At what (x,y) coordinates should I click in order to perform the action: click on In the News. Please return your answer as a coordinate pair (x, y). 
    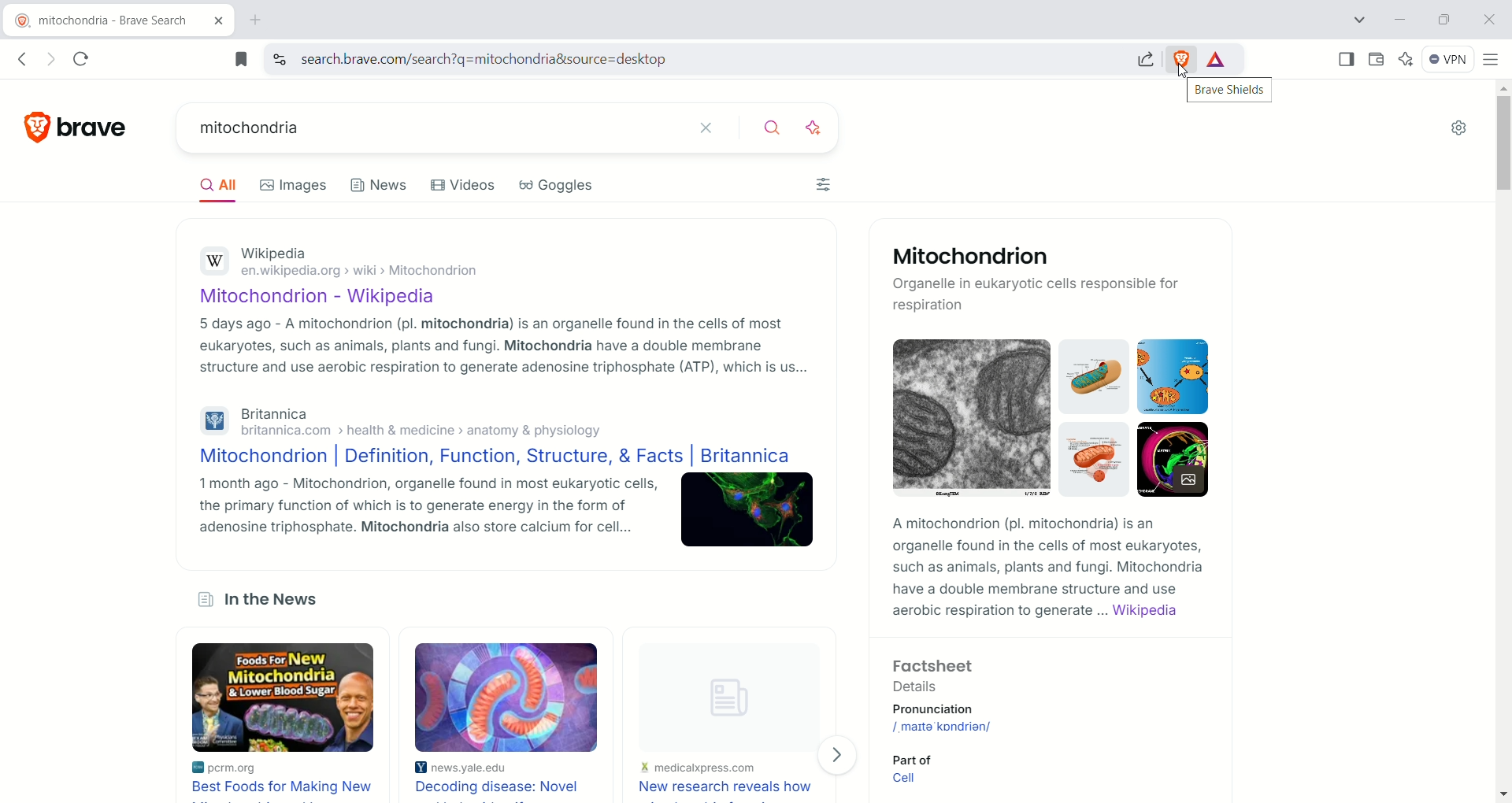
    Looking at the image, I should click on (272, 601).